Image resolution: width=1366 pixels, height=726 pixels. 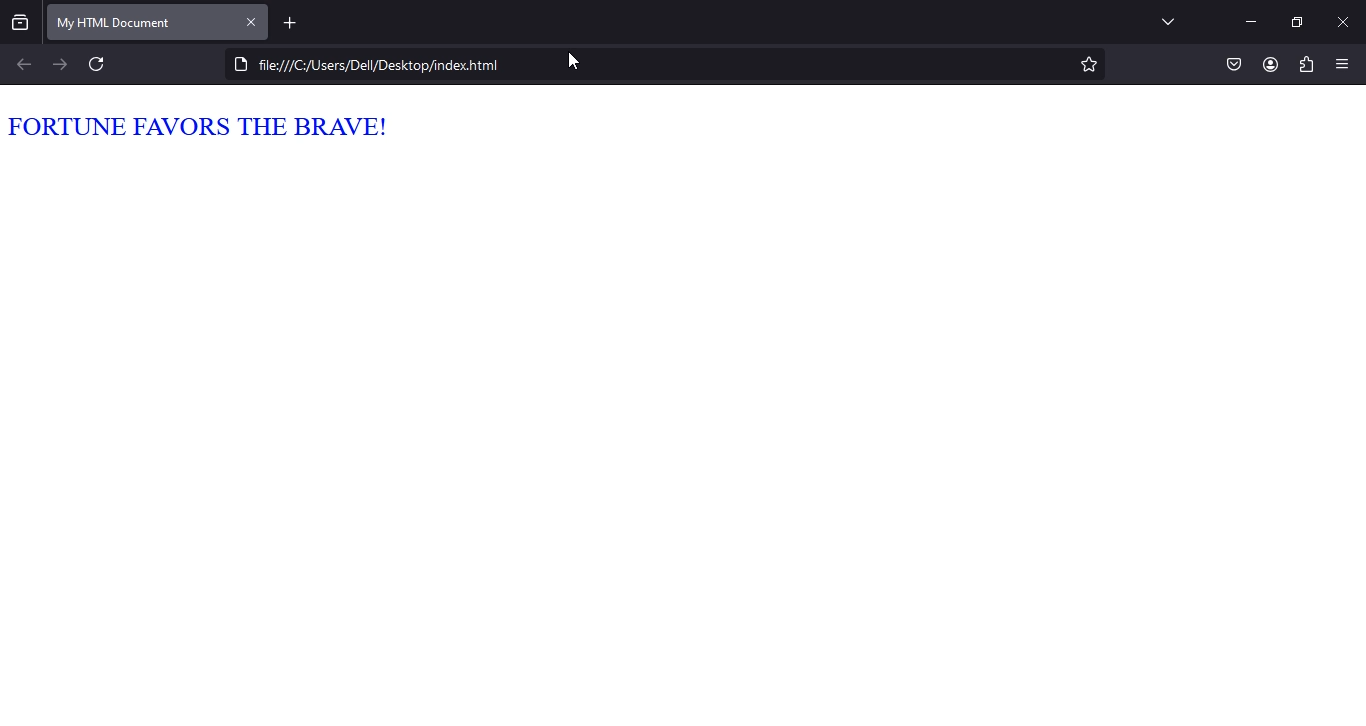 I want to click on cursor, so click(x=575, y=62).